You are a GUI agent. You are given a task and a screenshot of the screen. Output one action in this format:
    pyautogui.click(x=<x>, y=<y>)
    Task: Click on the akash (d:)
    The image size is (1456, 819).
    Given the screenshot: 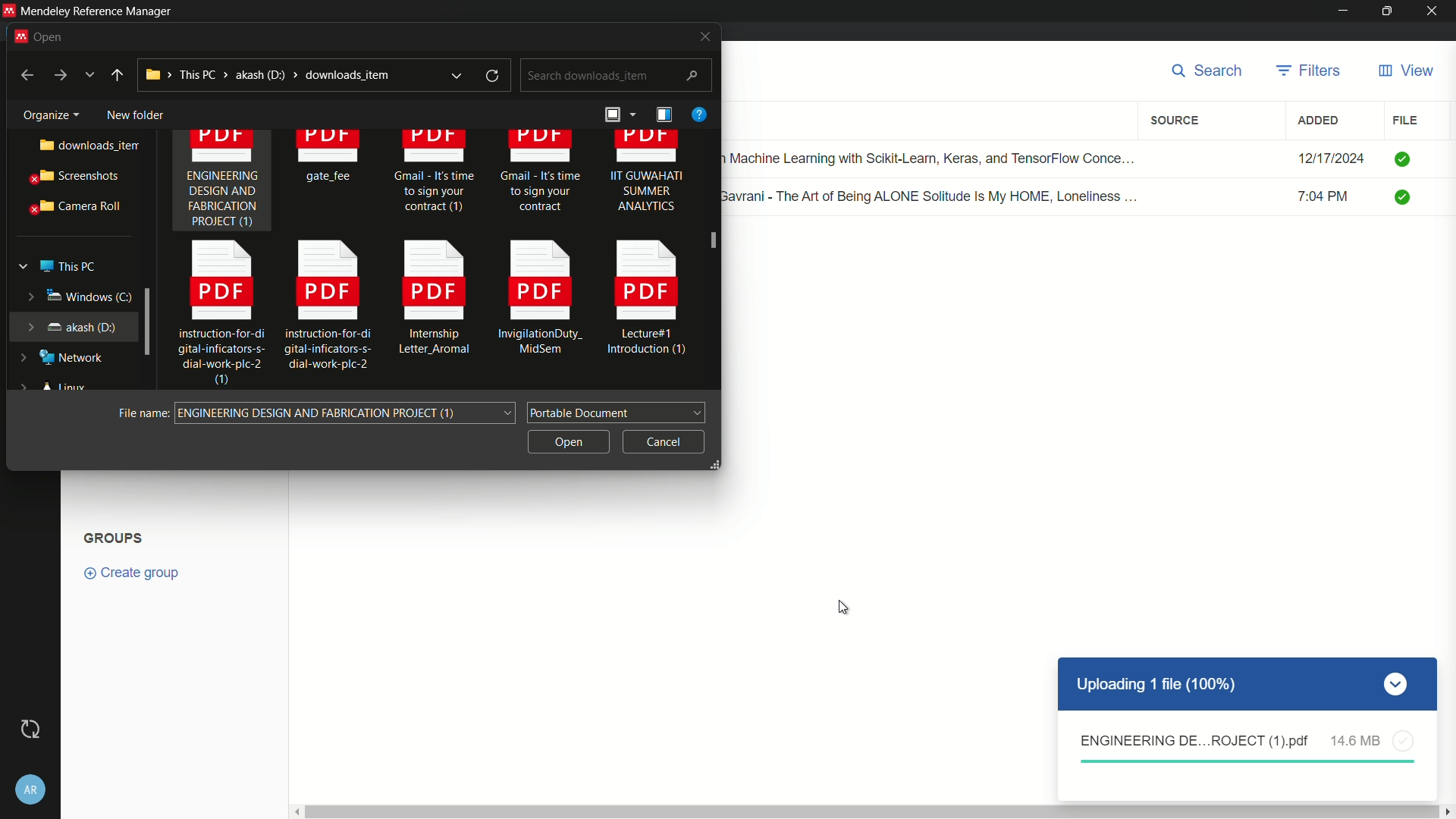 What is the action you would take?
    pyautogui.click(x=71, y=325)
    